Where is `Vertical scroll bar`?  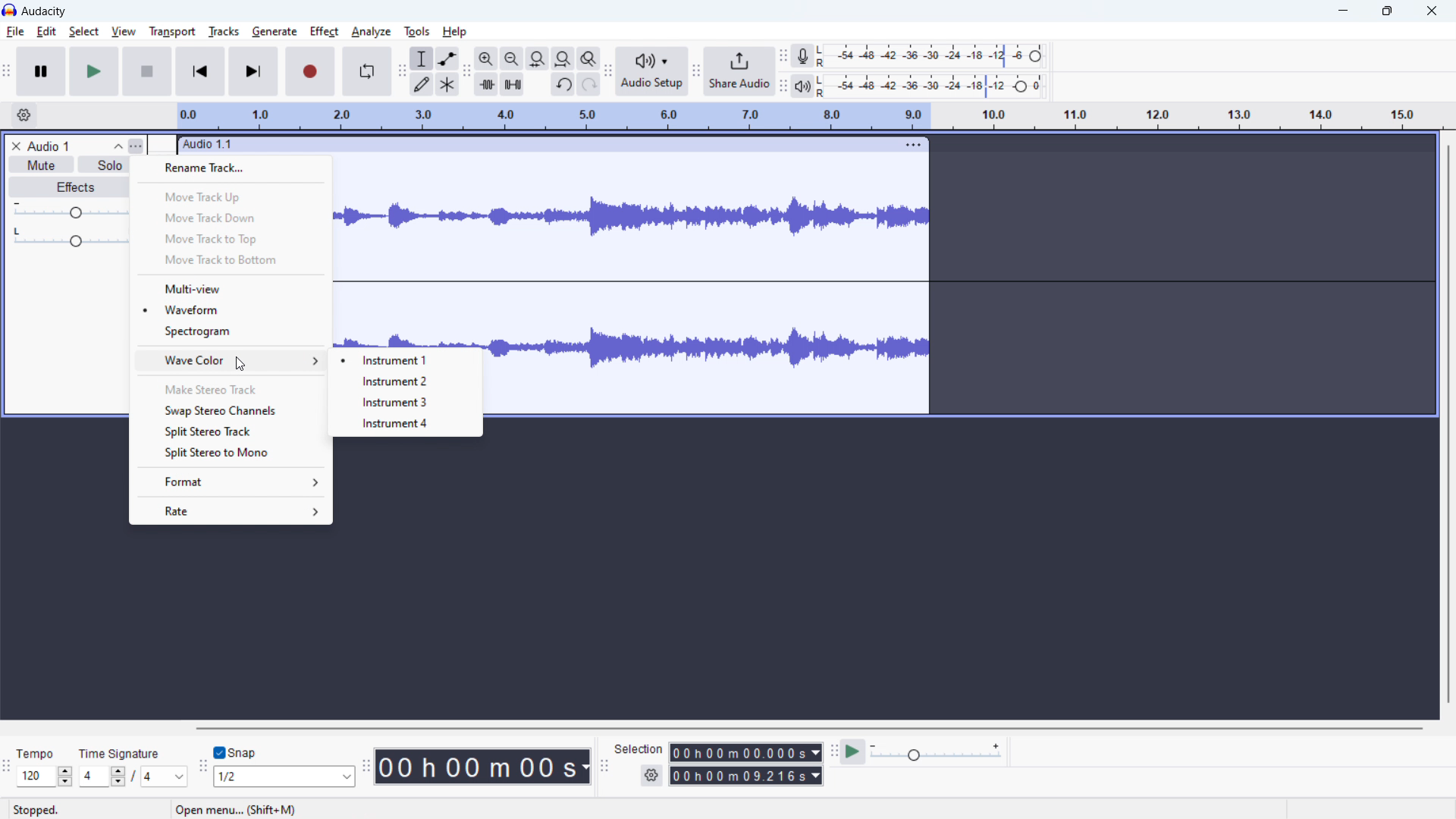 Vertical scroll bar is located at coordinates (1444, 426).